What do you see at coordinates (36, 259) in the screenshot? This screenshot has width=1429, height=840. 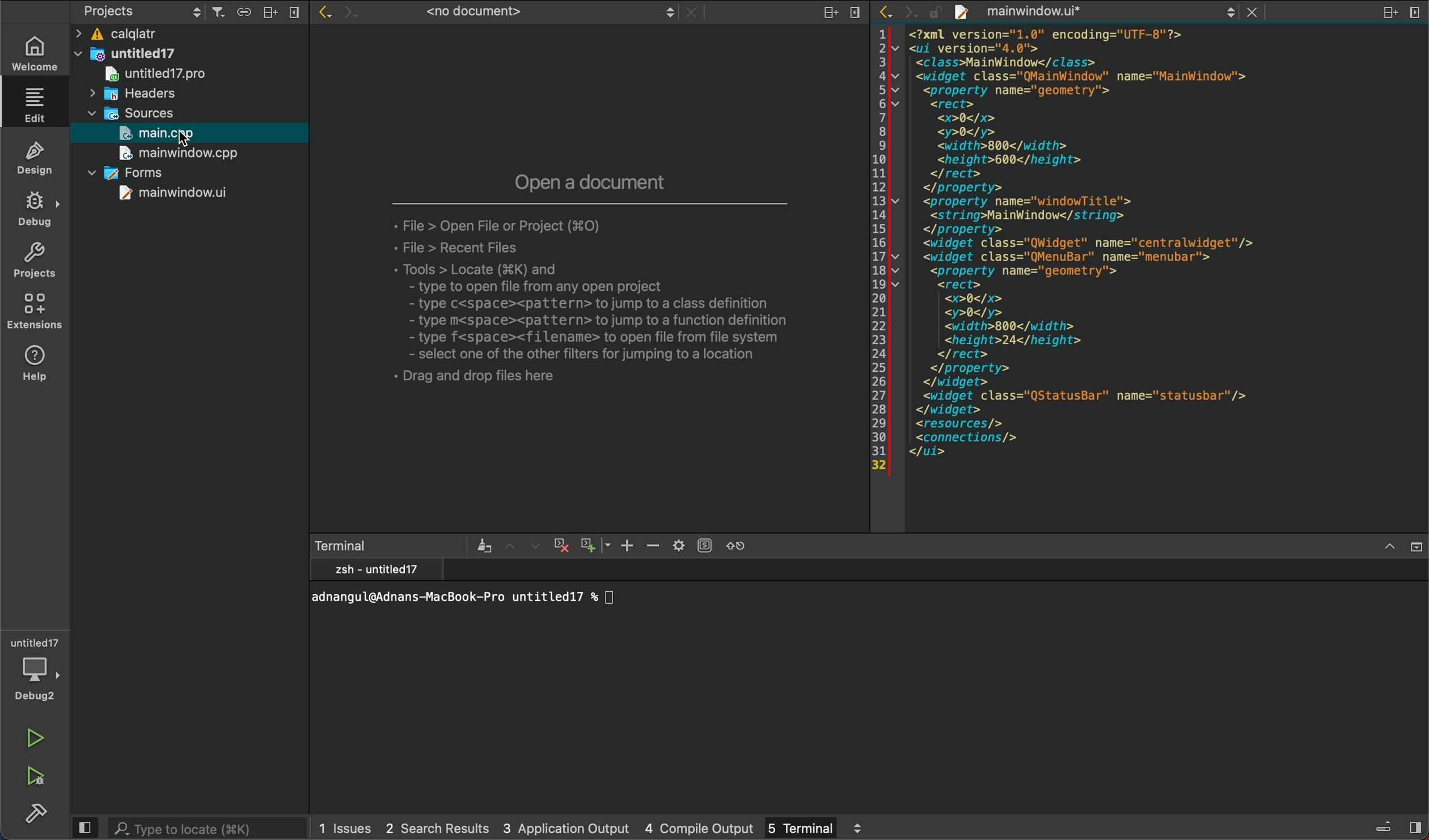 I see `projects` at bounding box center [36, 259].